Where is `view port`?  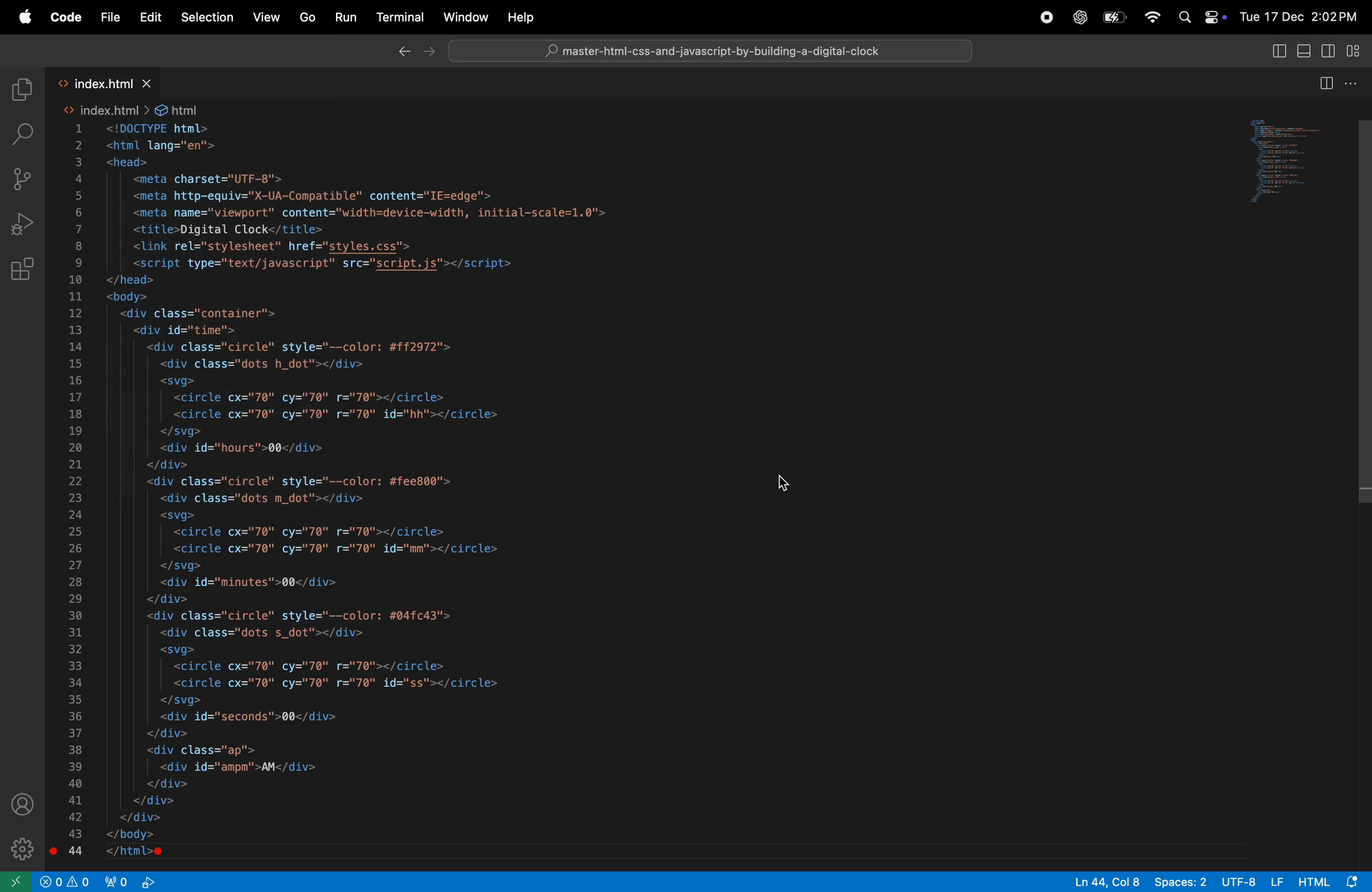
view port is located at coordinates (148, 880).